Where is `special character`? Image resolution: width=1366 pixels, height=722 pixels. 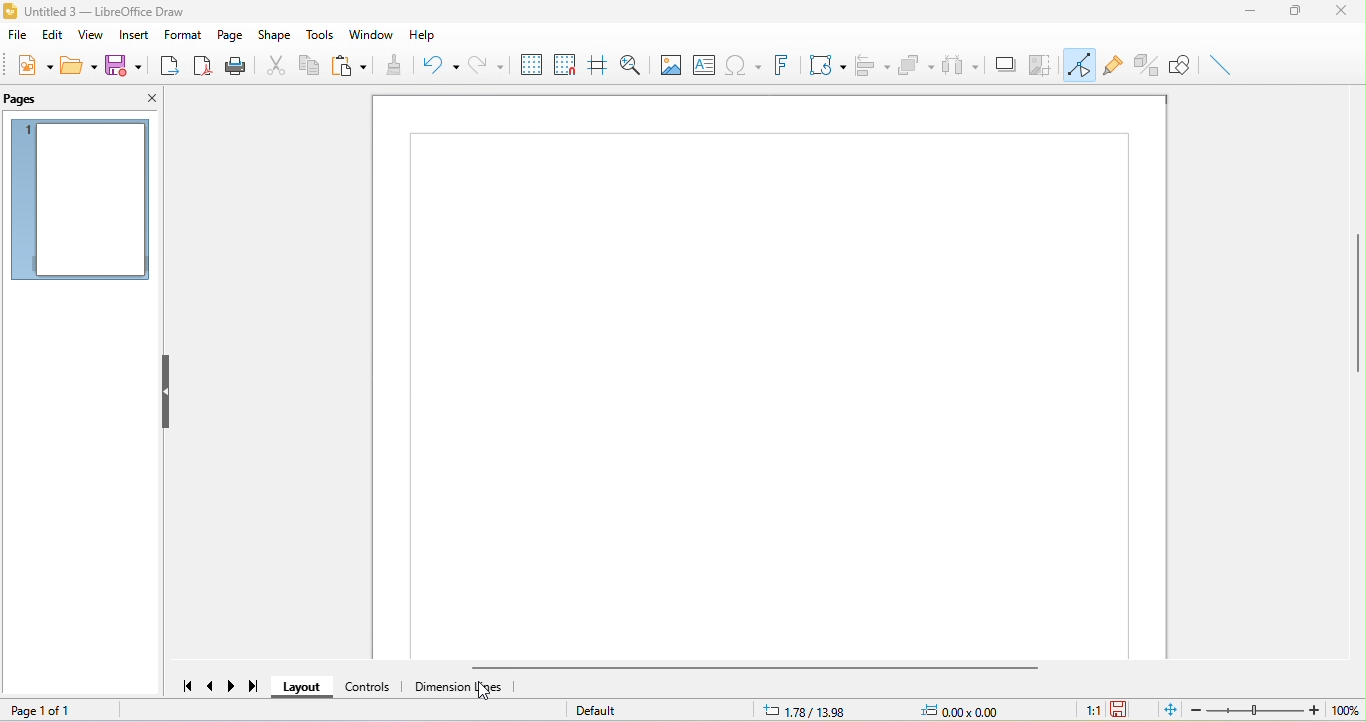
special character is located at coordinates (741, 66).